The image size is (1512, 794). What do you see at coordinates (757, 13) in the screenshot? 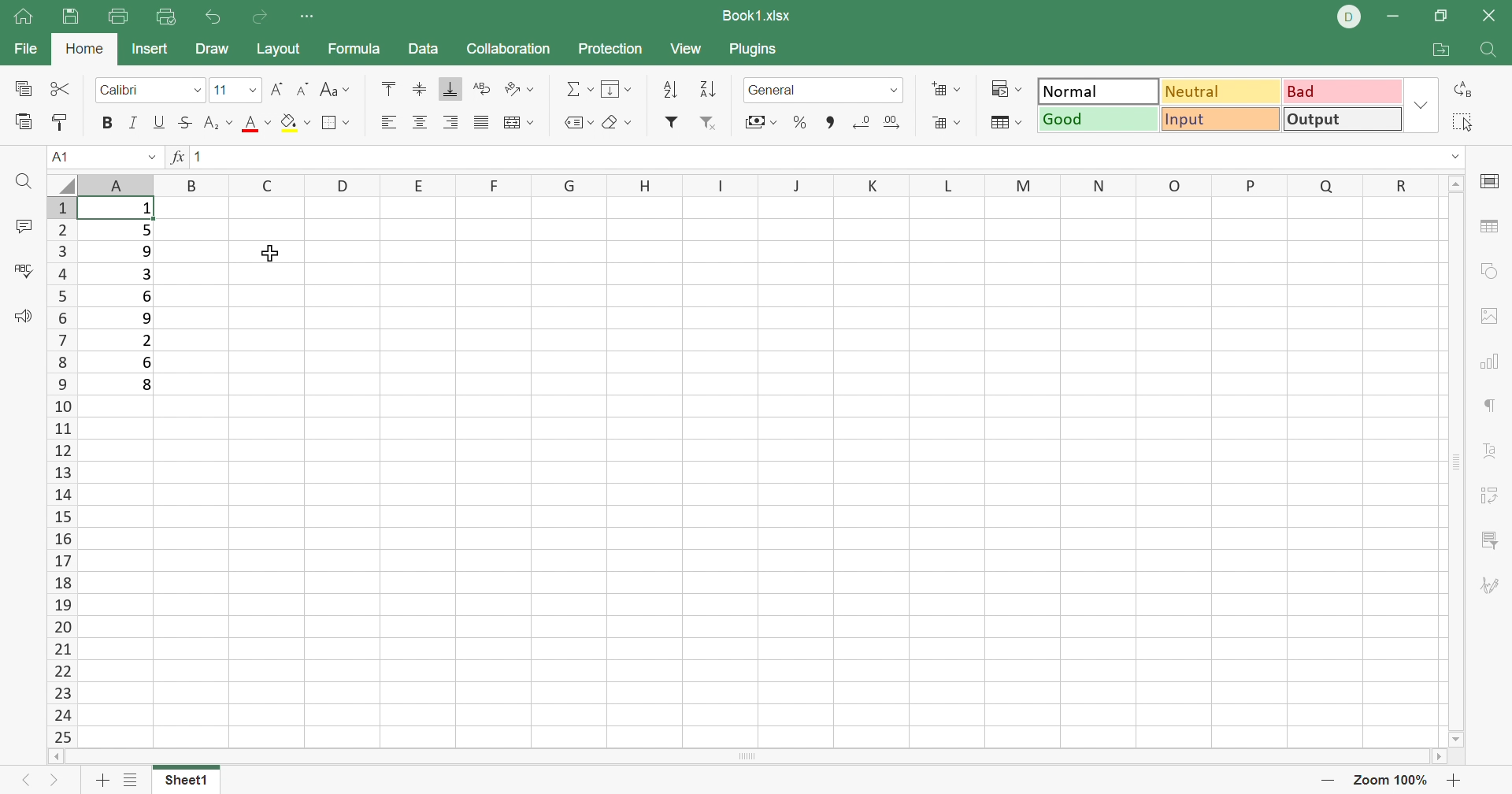
I see `Book1.xlsx` at bounding box center [757, 13].